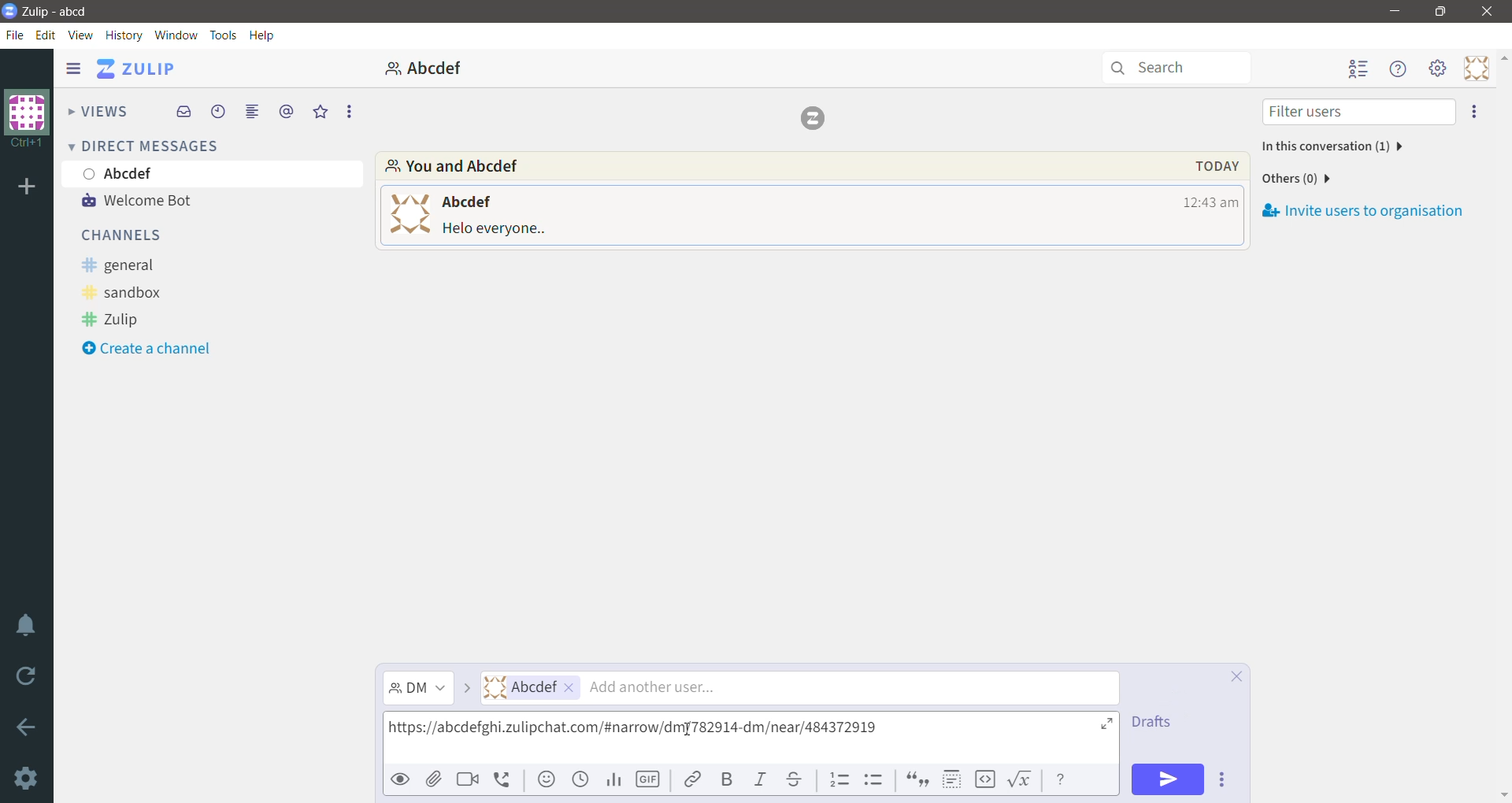 Image resolution: width=1512 pixels, height=803 pixels. I want to click on Upload files, so click(434, 779).